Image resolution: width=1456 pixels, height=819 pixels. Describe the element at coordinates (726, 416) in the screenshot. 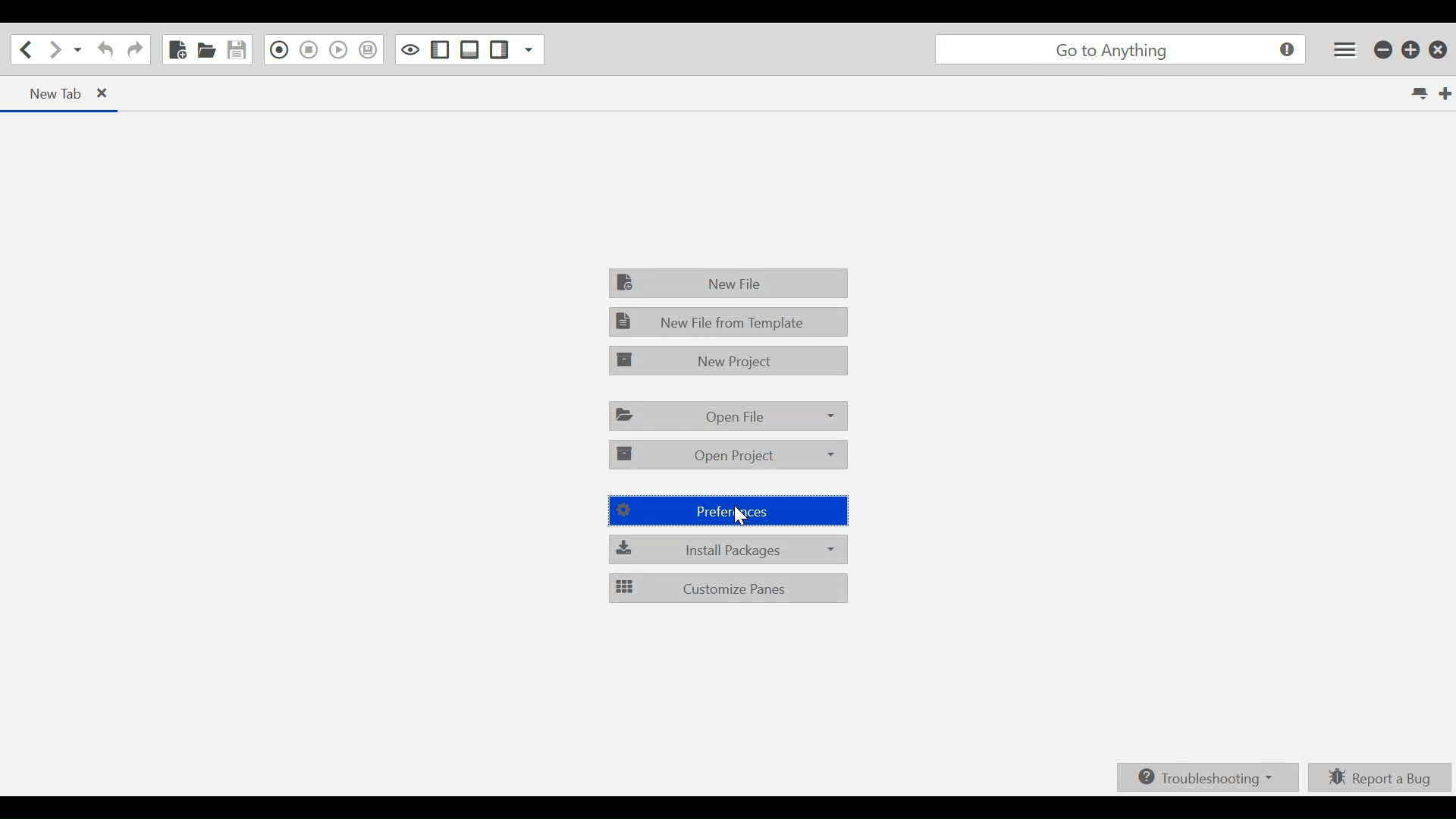

I see `Open File` at that location.